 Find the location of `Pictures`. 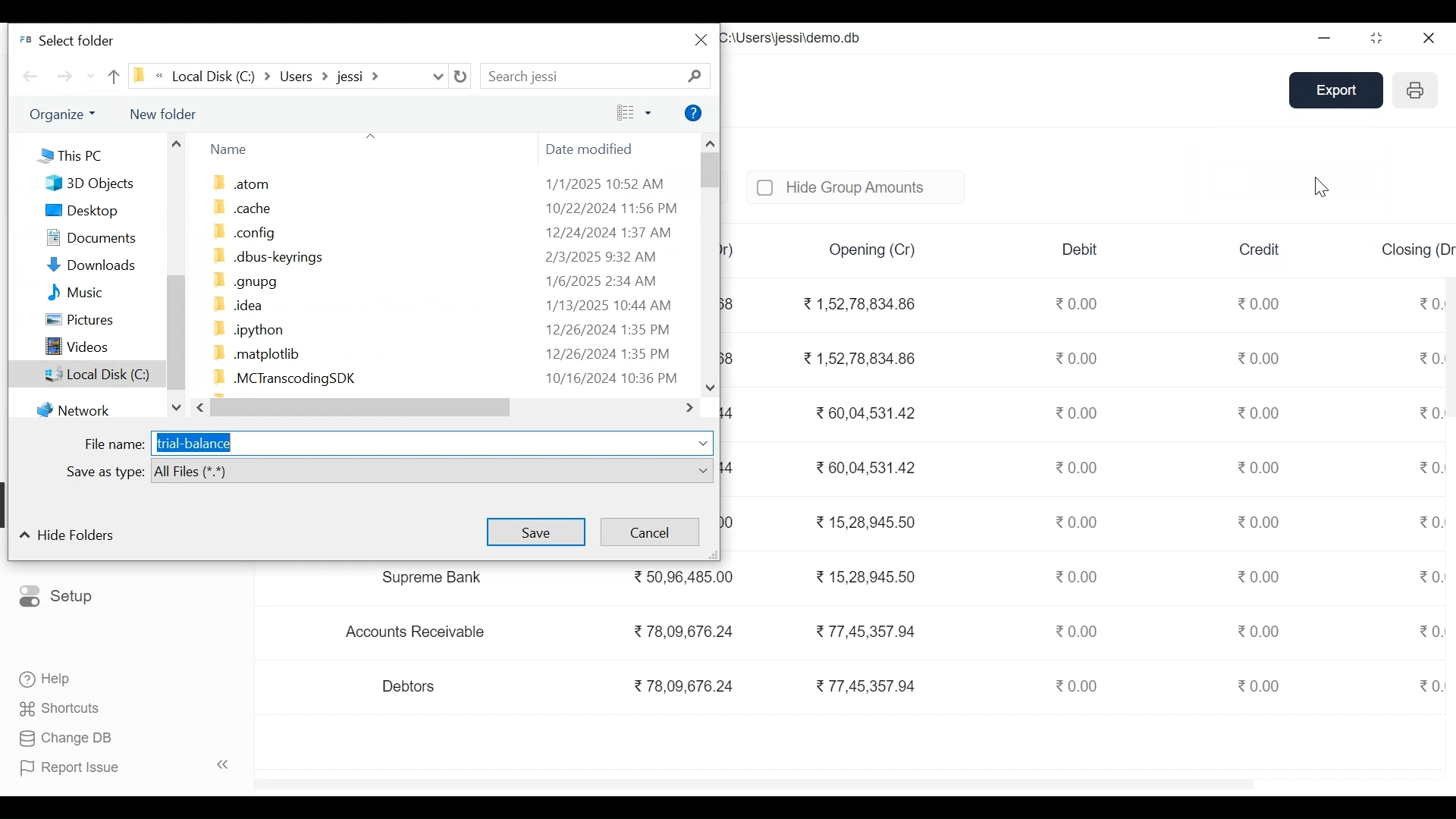

Pictures is located at coordinates (80, 318).